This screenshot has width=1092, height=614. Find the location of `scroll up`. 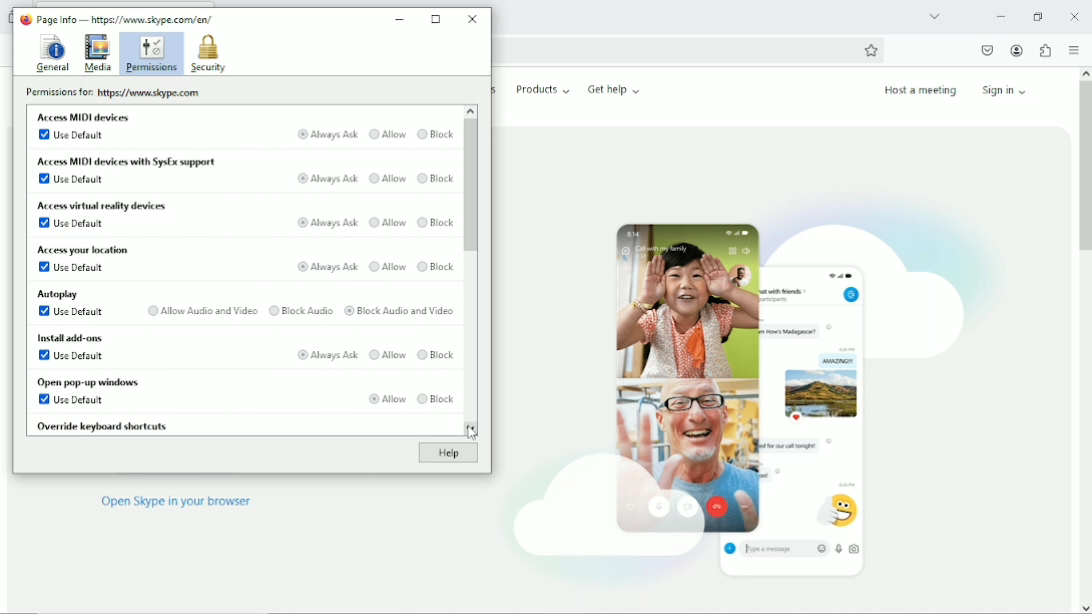

scroll up is located at coordinates (470, 110).